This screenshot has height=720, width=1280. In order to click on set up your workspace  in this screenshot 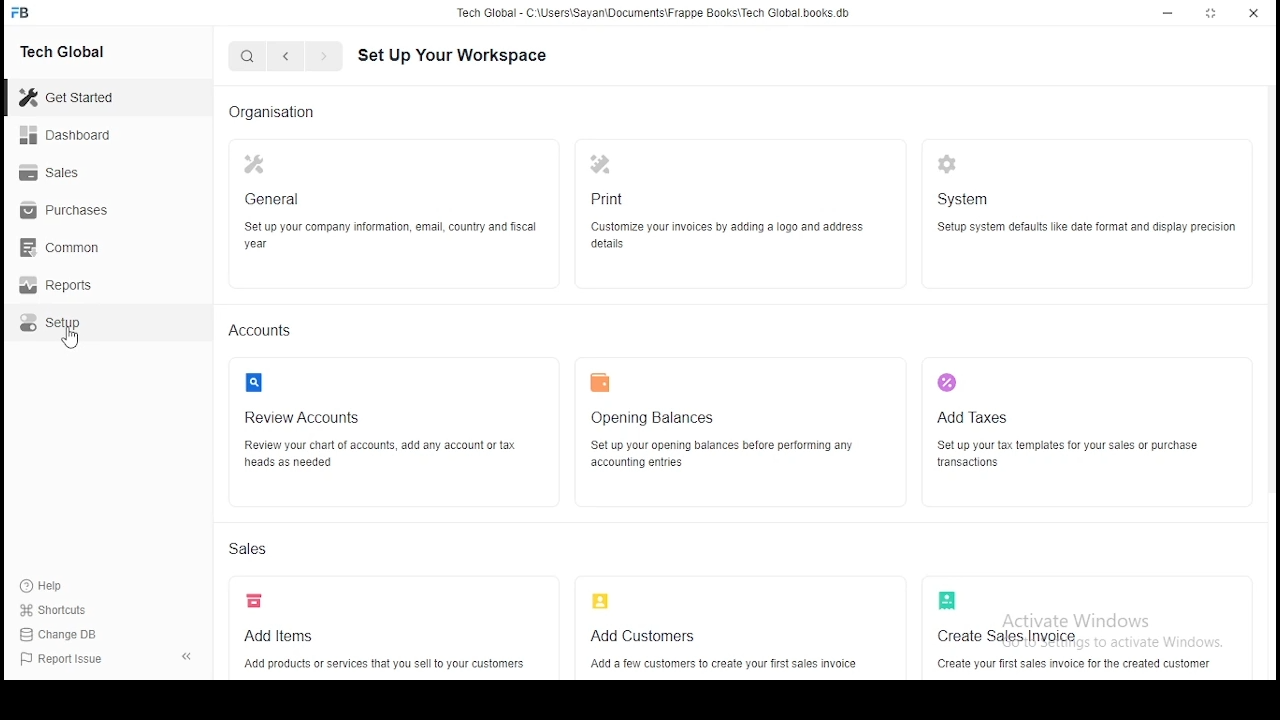, I will do `click(470, 56)`.